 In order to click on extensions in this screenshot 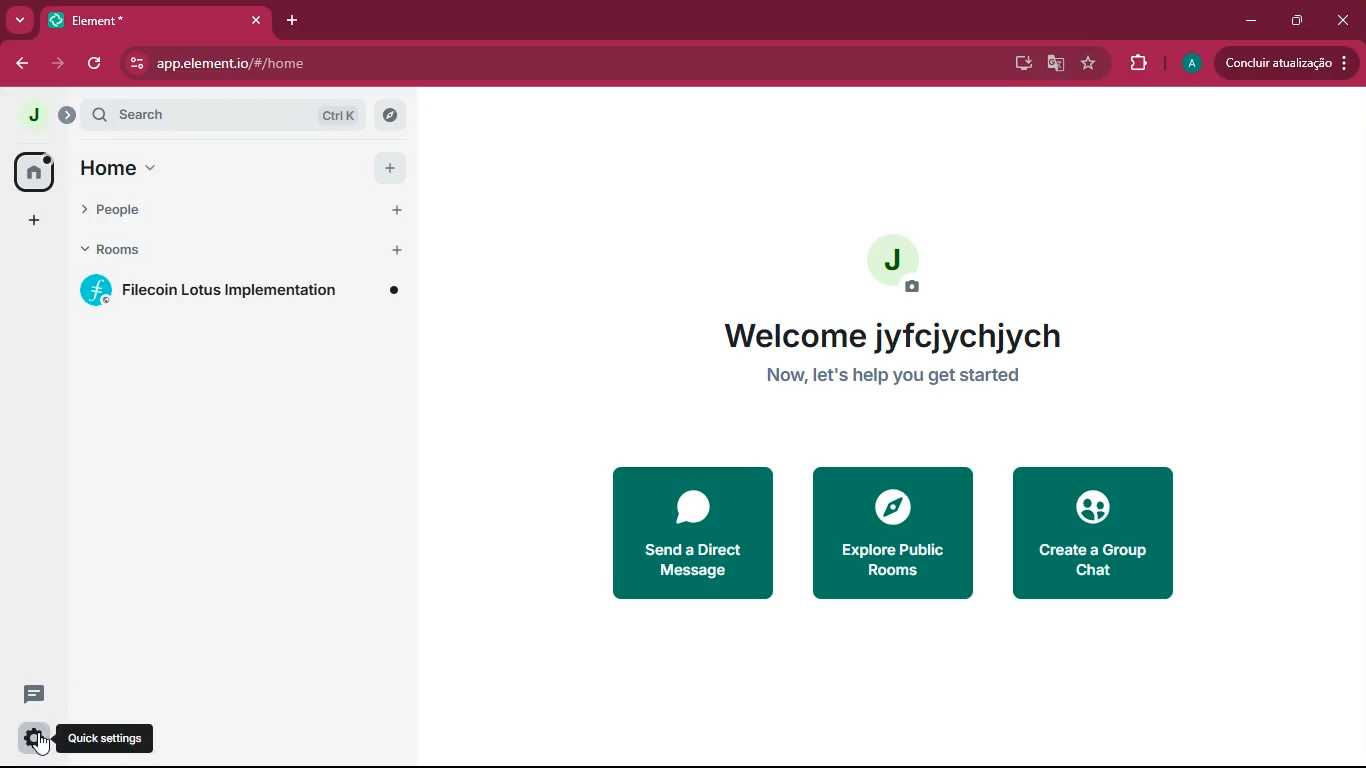, I will do `click(1135, 64)`.